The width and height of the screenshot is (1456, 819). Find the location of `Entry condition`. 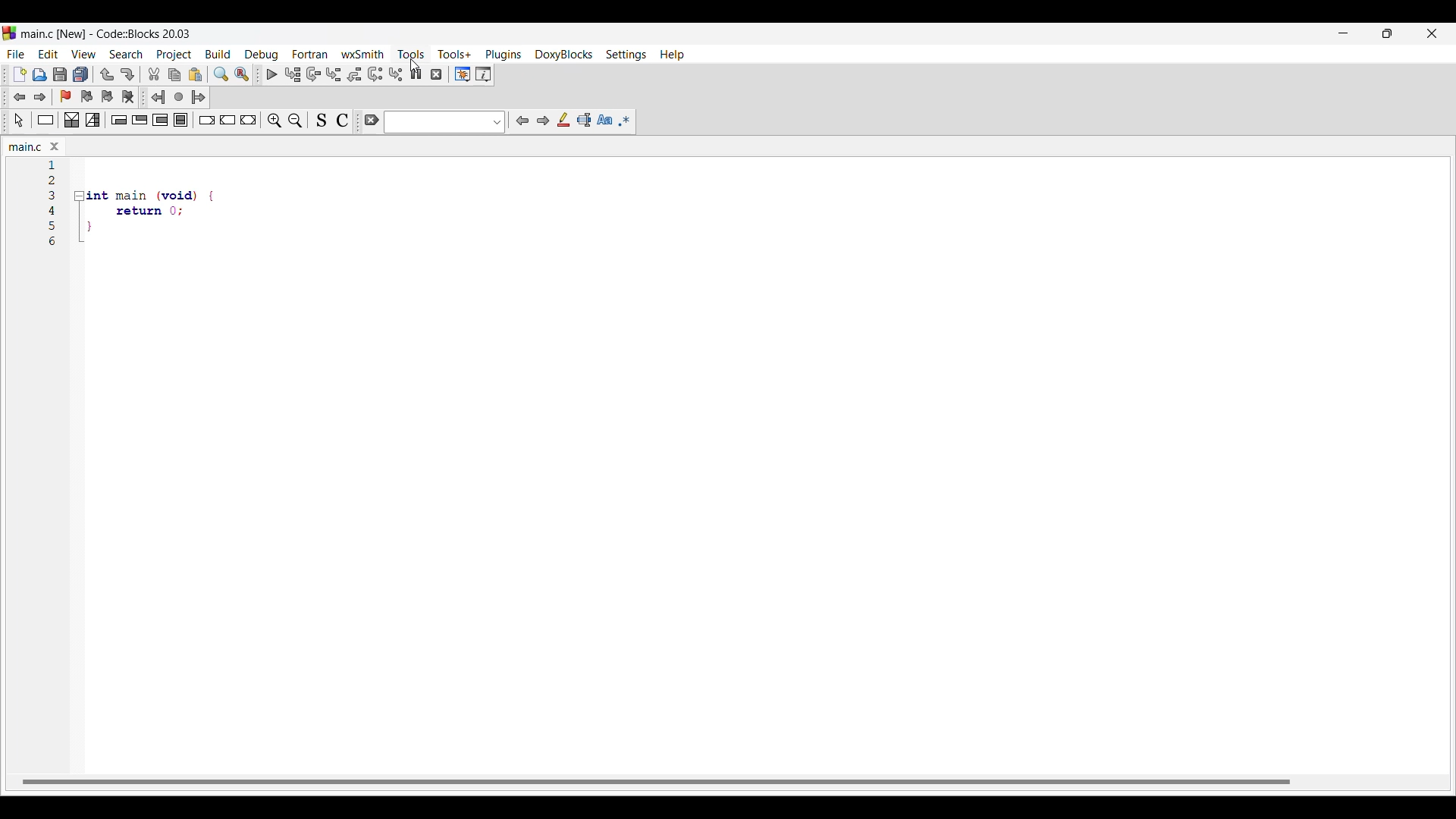

Entry condition is located at coordinates (119, 120).